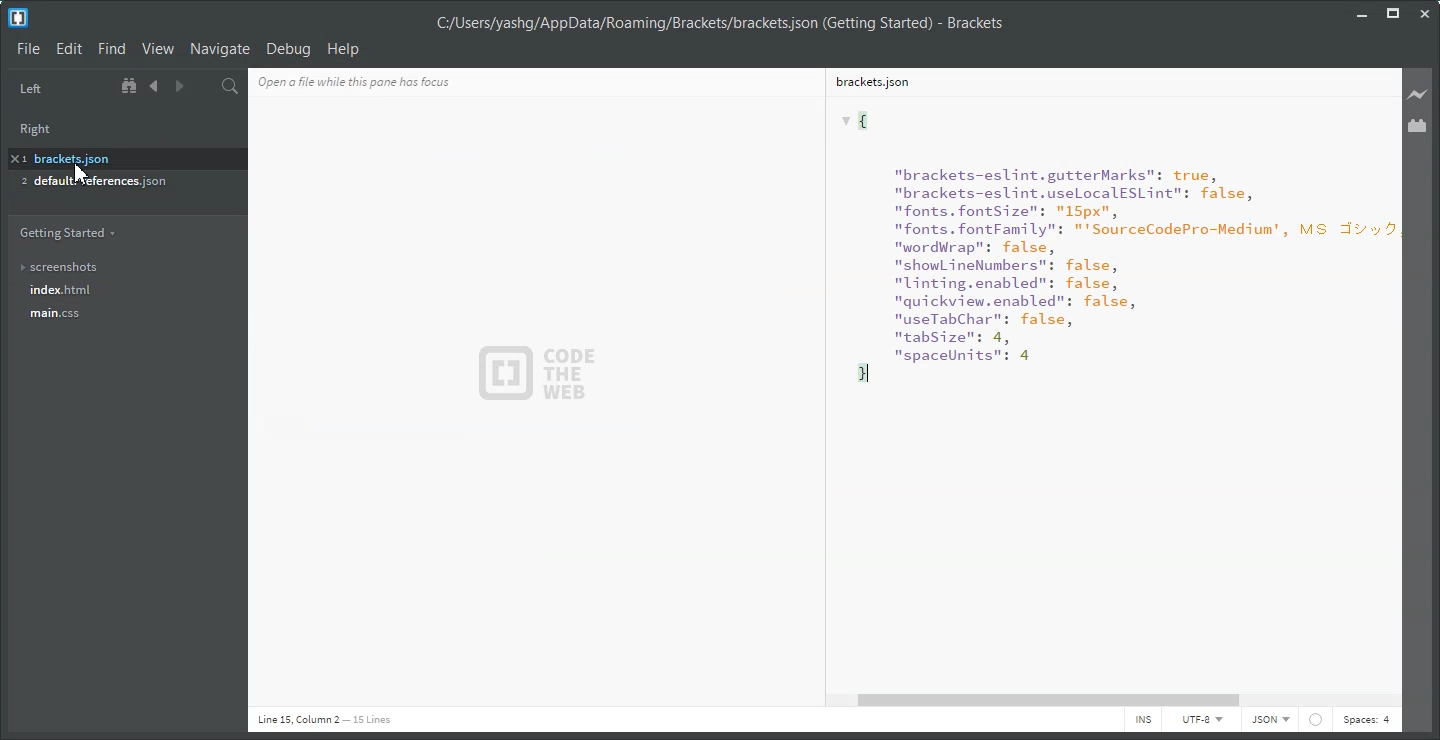  What do you see at coordinates (30, 89) in the screenshot?
I see `Left Panel` at bounding box center [30, 89].